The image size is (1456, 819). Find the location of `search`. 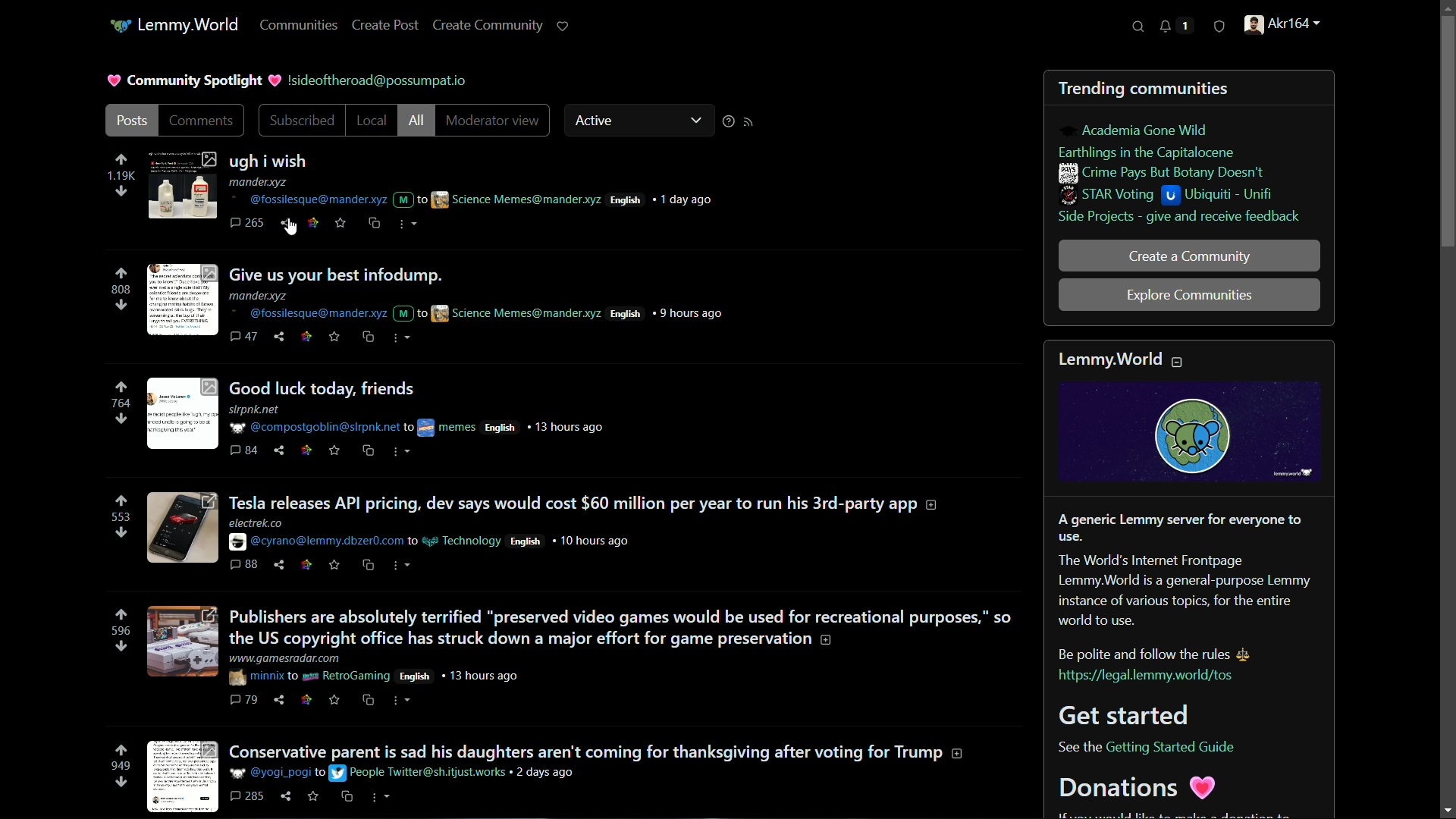

search is located at coordinates (1139, 27).